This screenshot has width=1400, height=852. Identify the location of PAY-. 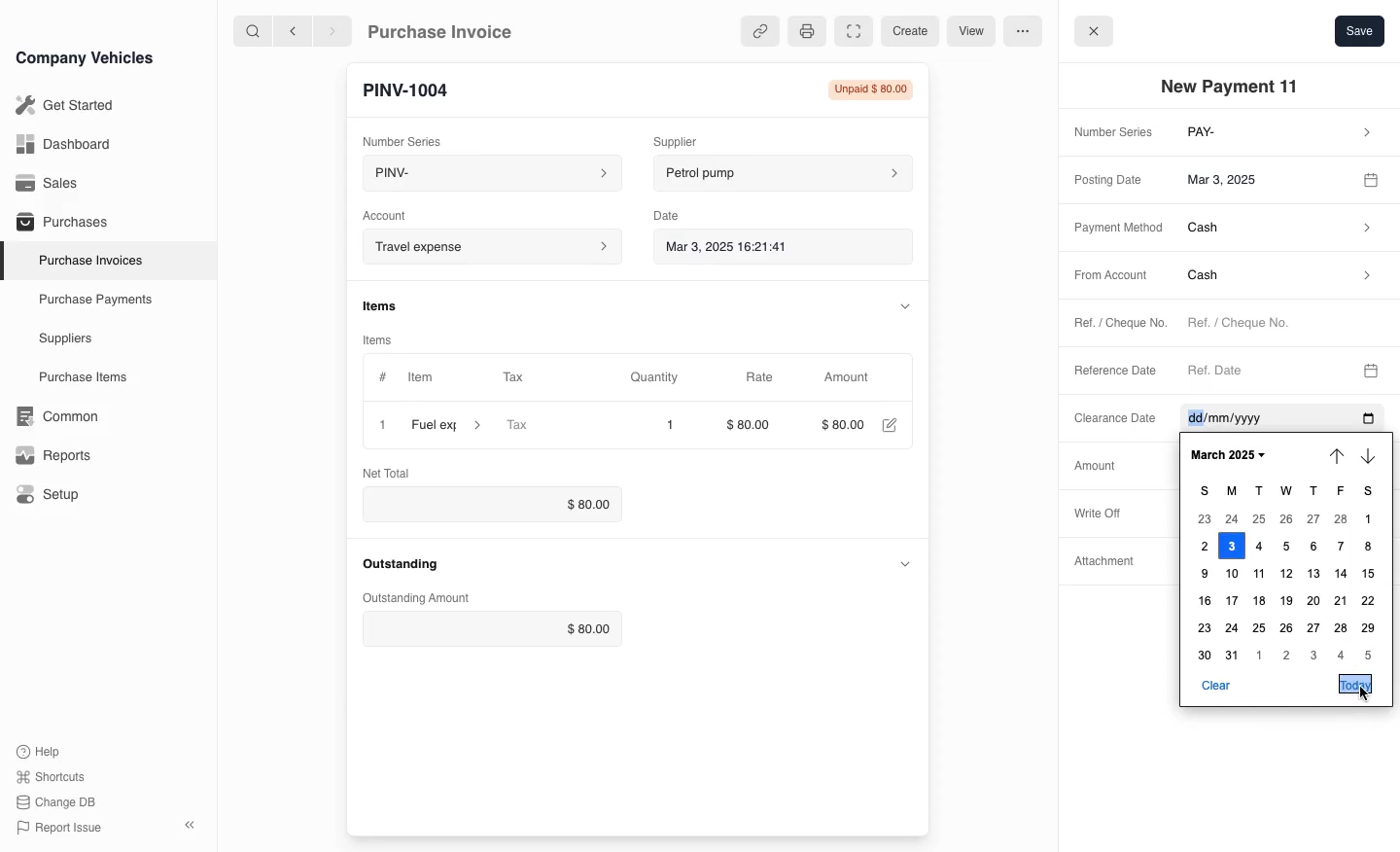
(1281, 134).